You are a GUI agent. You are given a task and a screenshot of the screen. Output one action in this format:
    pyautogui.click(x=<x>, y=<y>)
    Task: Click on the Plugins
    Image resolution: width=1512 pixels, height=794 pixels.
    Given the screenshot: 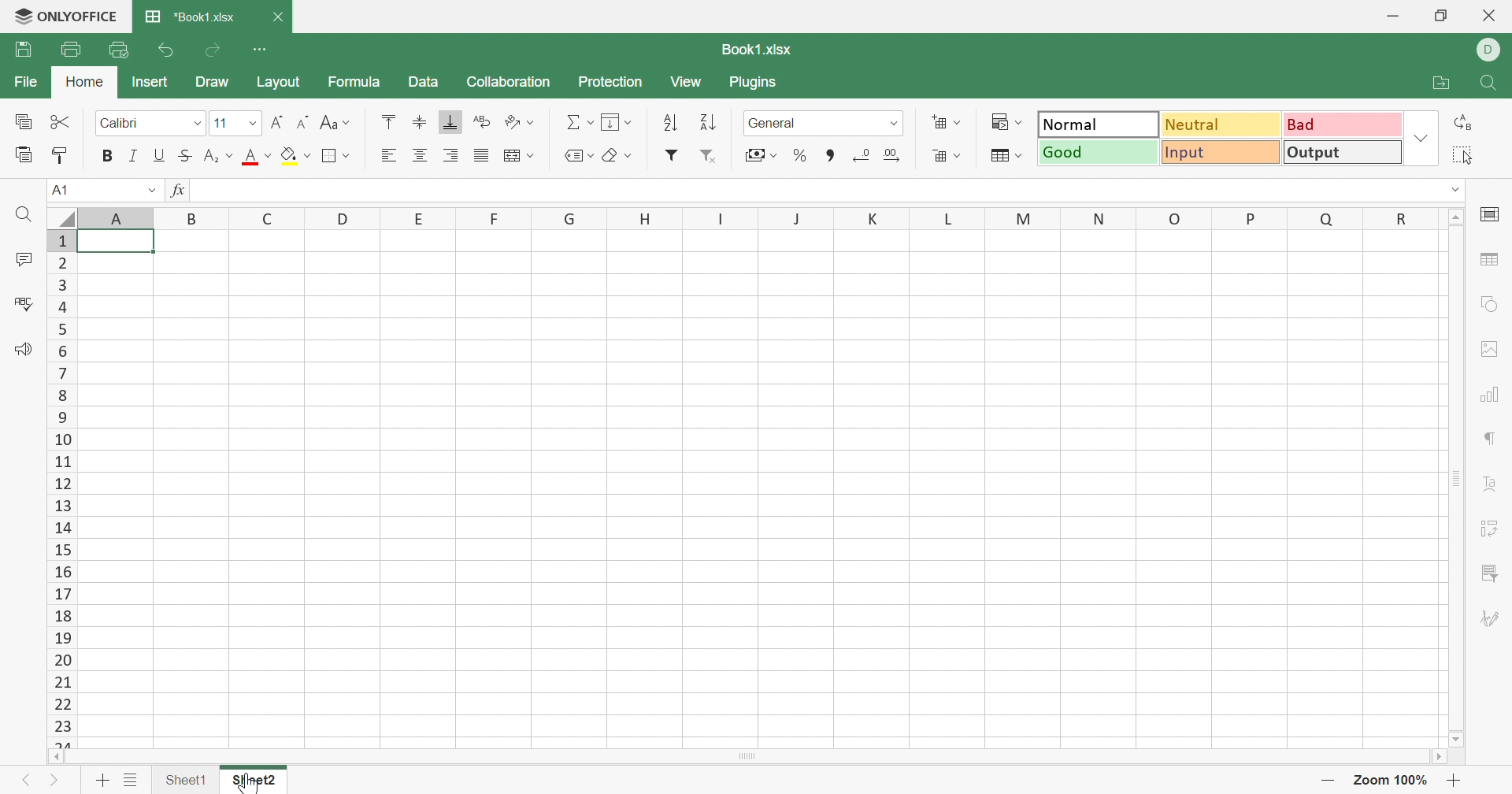 What is the action you would take?
    pyautogui.click(x=754, y=83)
    